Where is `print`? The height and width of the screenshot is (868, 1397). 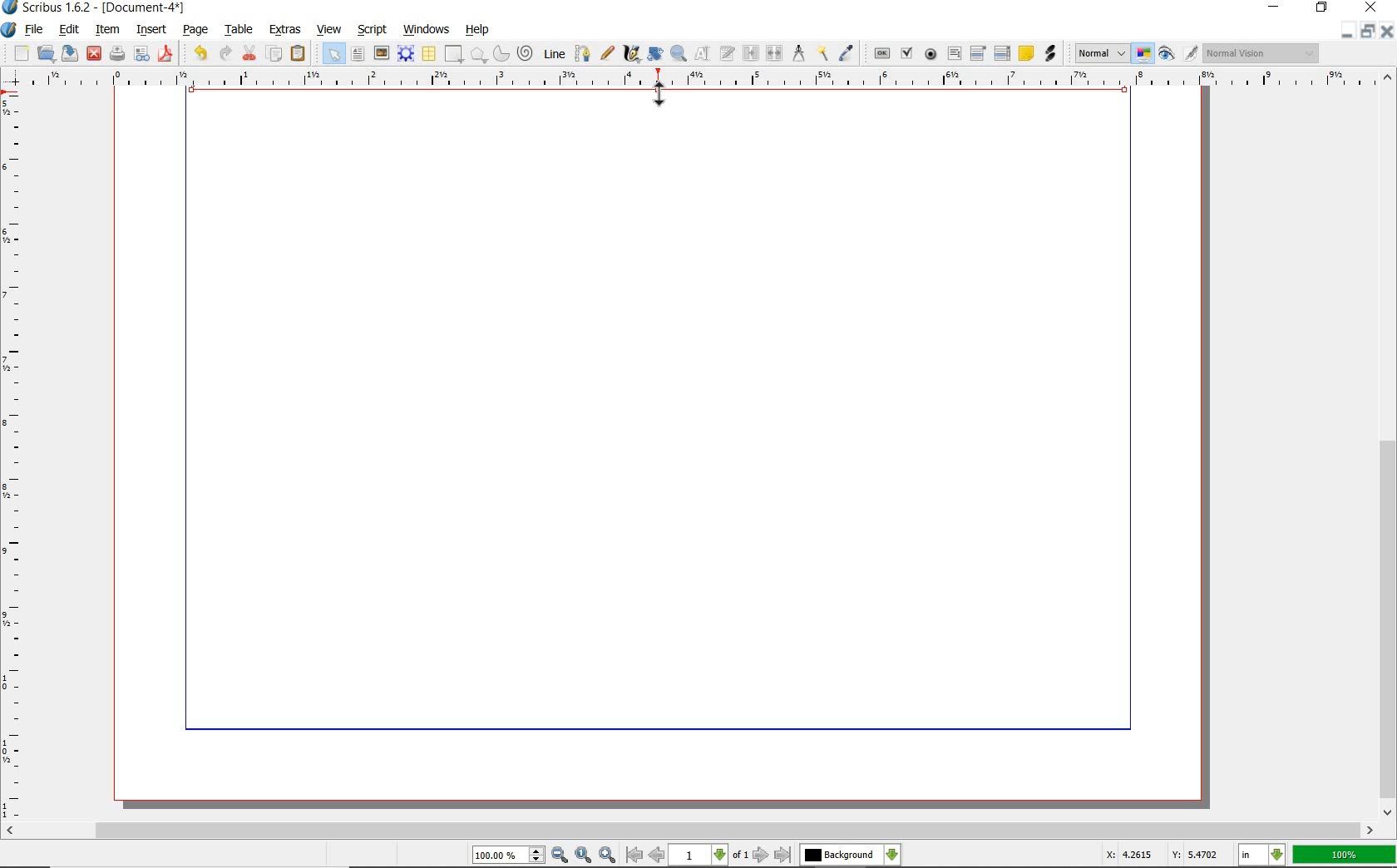 print is located at coordinates (116, 54).